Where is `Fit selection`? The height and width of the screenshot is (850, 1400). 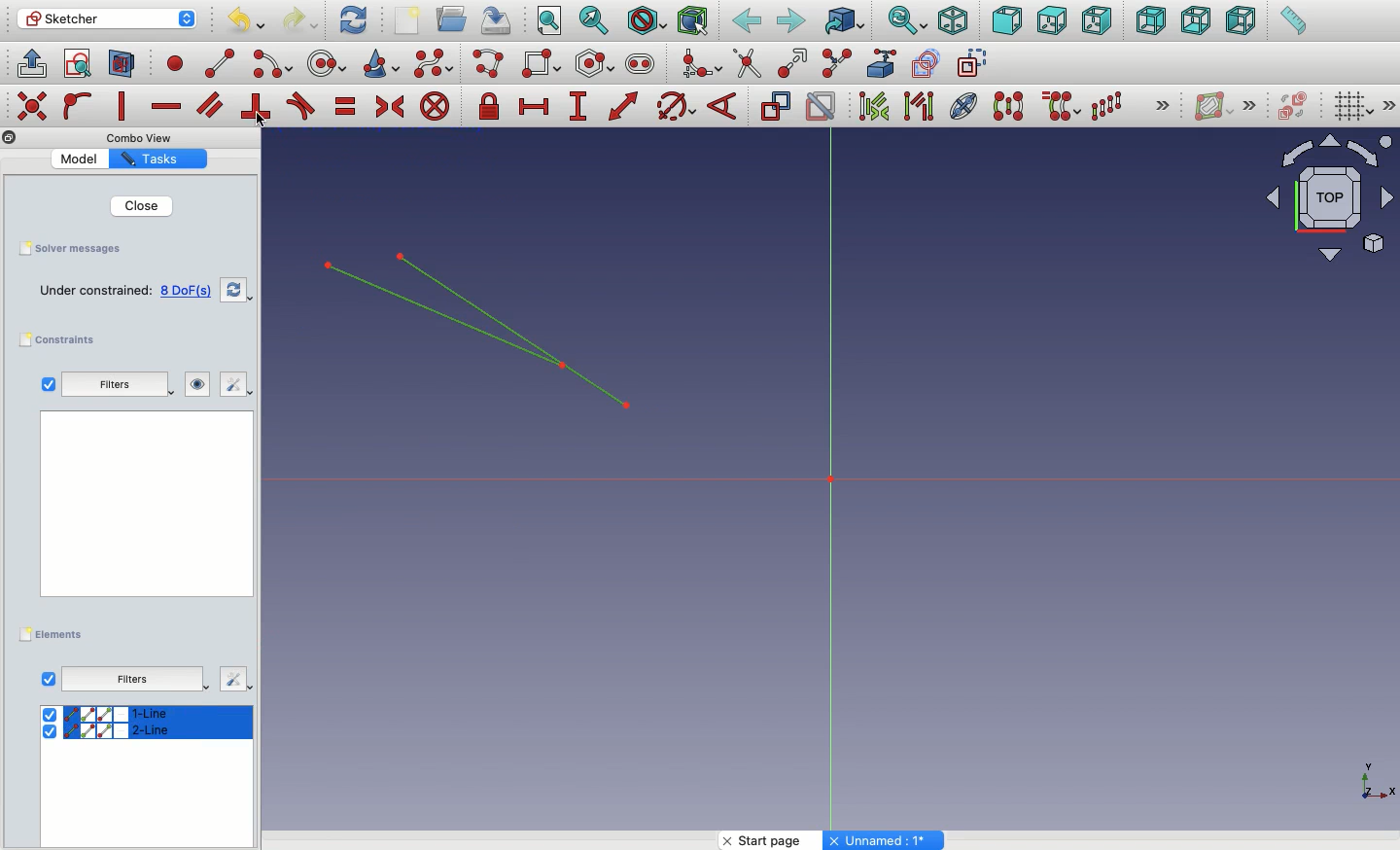
Fit selection is located at coordinates (596, 19).